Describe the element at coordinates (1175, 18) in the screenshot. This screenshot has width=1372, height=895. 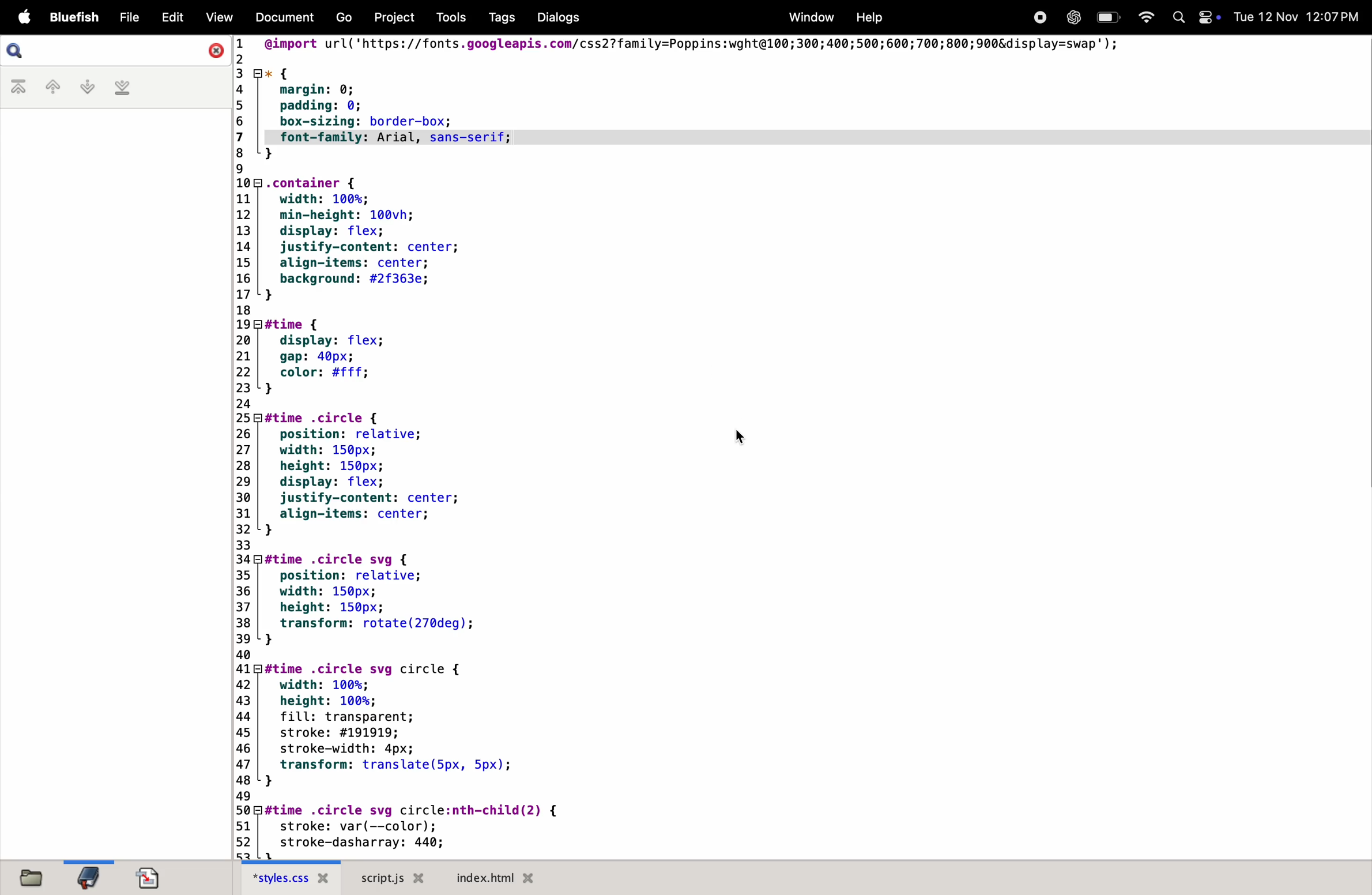
I see `Spotlight` at that location.